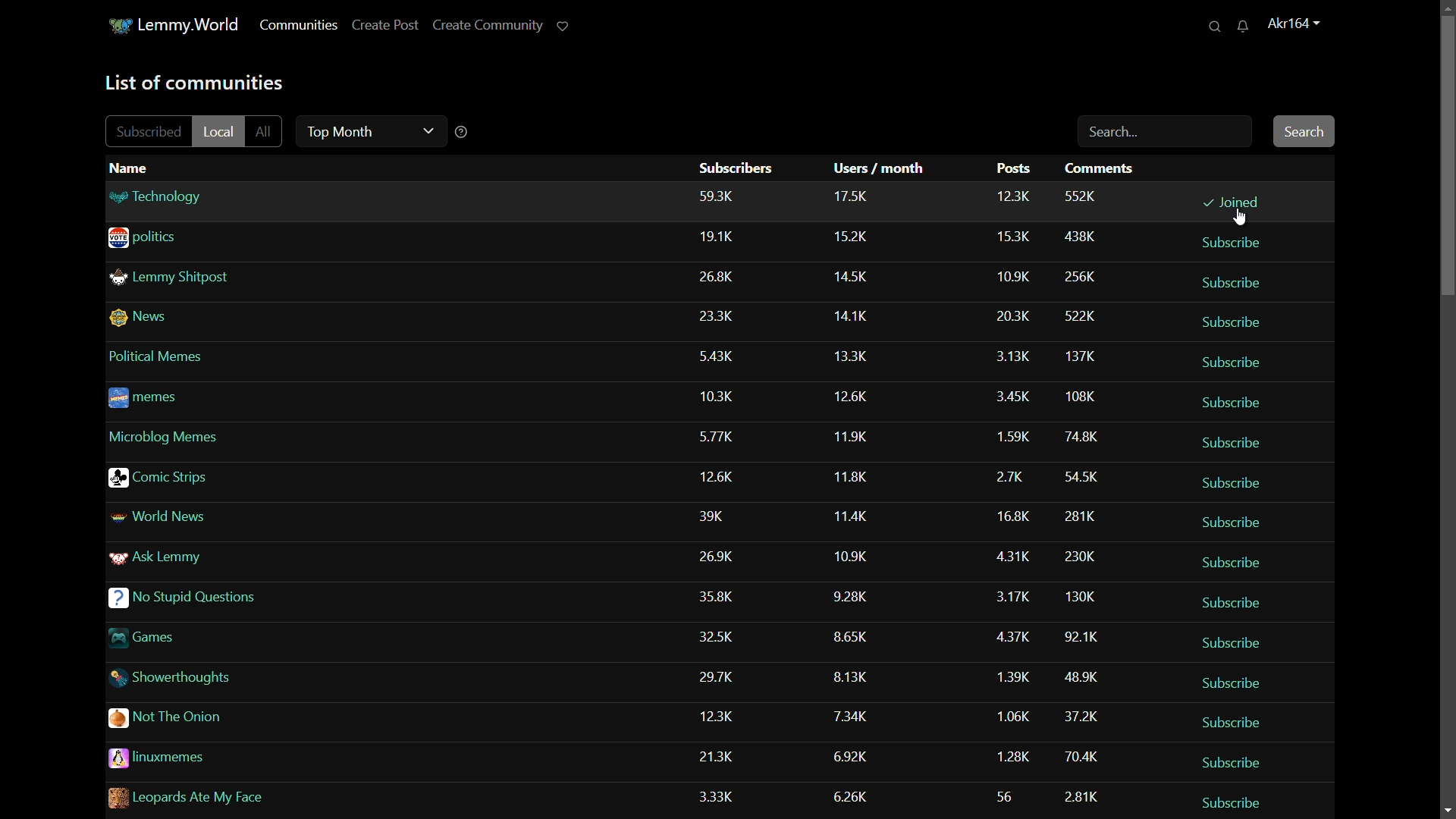 The height and width of the screenshot is (819, 1456). I want to click on comments, so click(1081, 356).